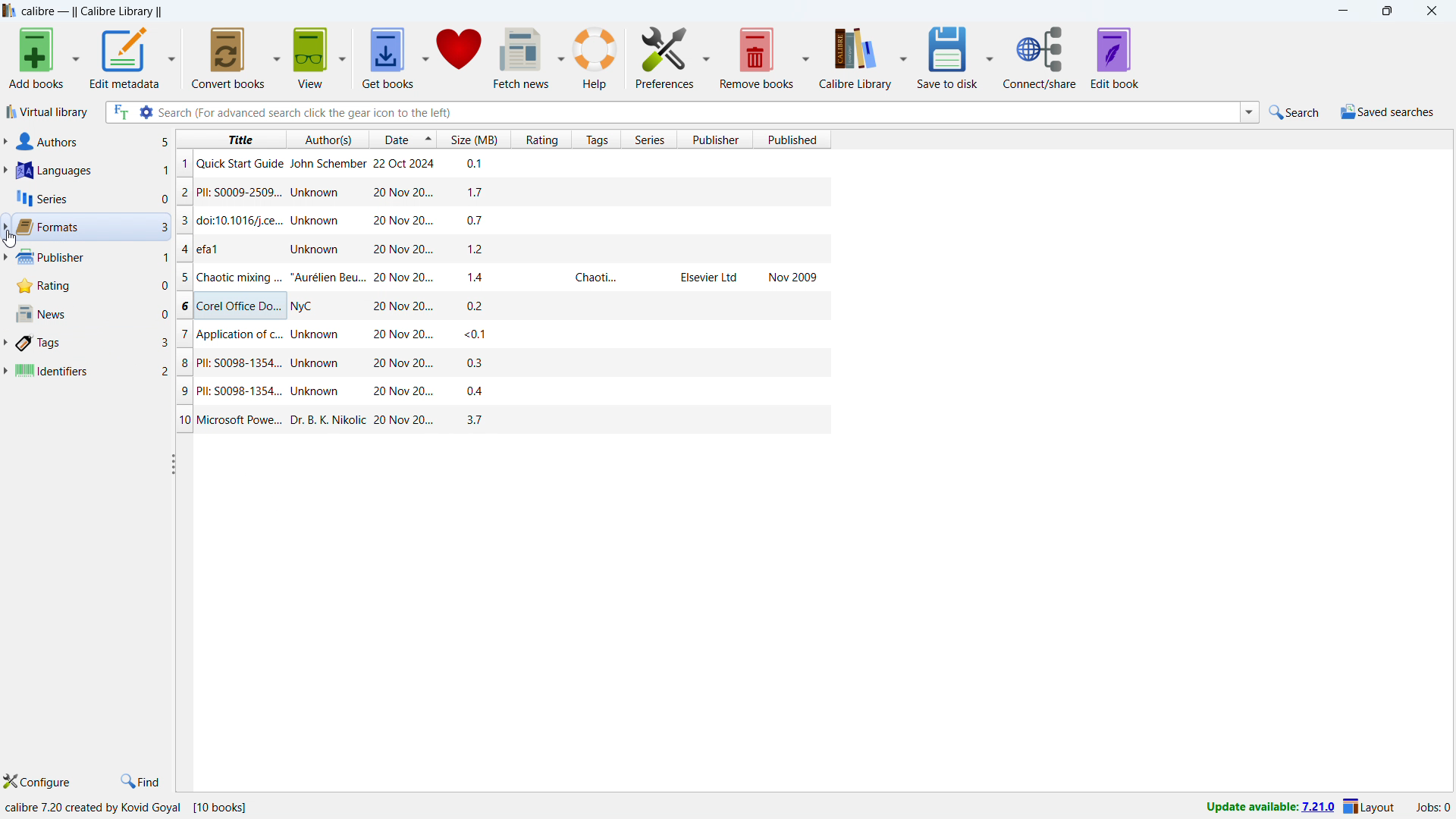 The height and width of the screenshot is (819, 1456). What do you see at coordinates (1390, 111) in the screenshot?
I see `saved searches` at bounding box center [1390, 111].